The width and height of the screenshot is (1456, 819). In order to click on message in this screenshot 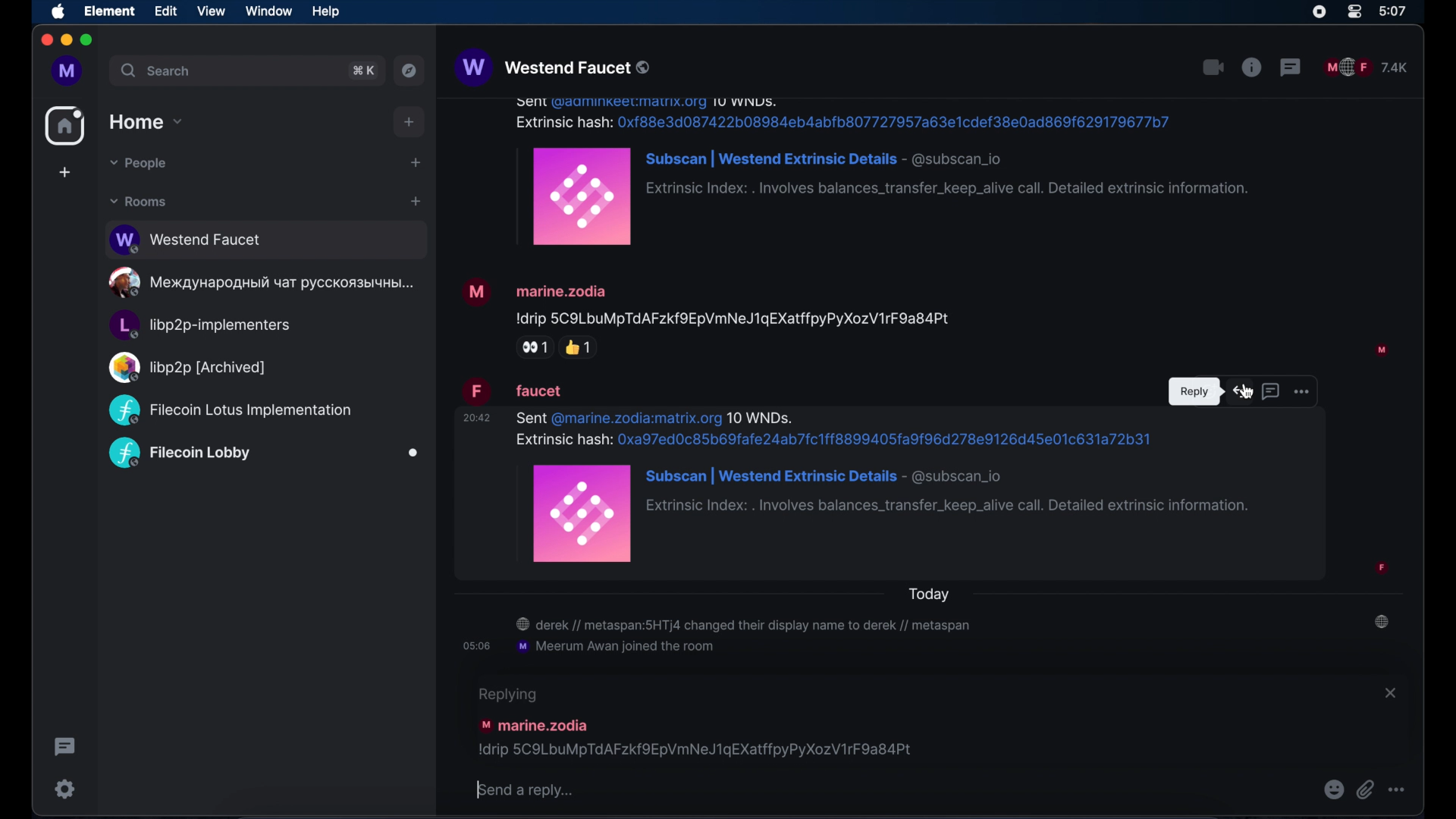, I will do `click(787, 175)`.